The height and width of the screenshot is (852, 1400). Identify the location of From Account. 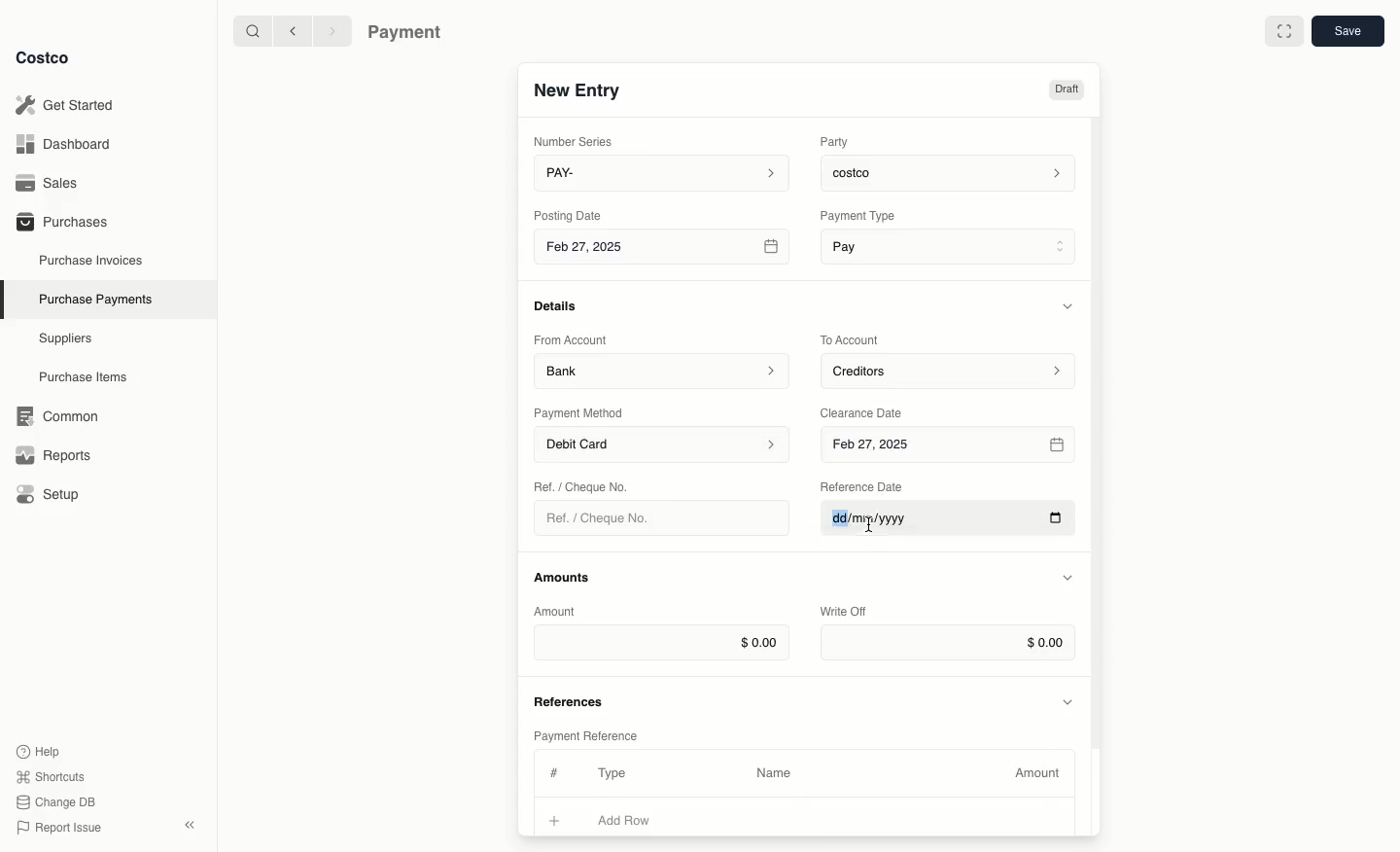
(571, 339).